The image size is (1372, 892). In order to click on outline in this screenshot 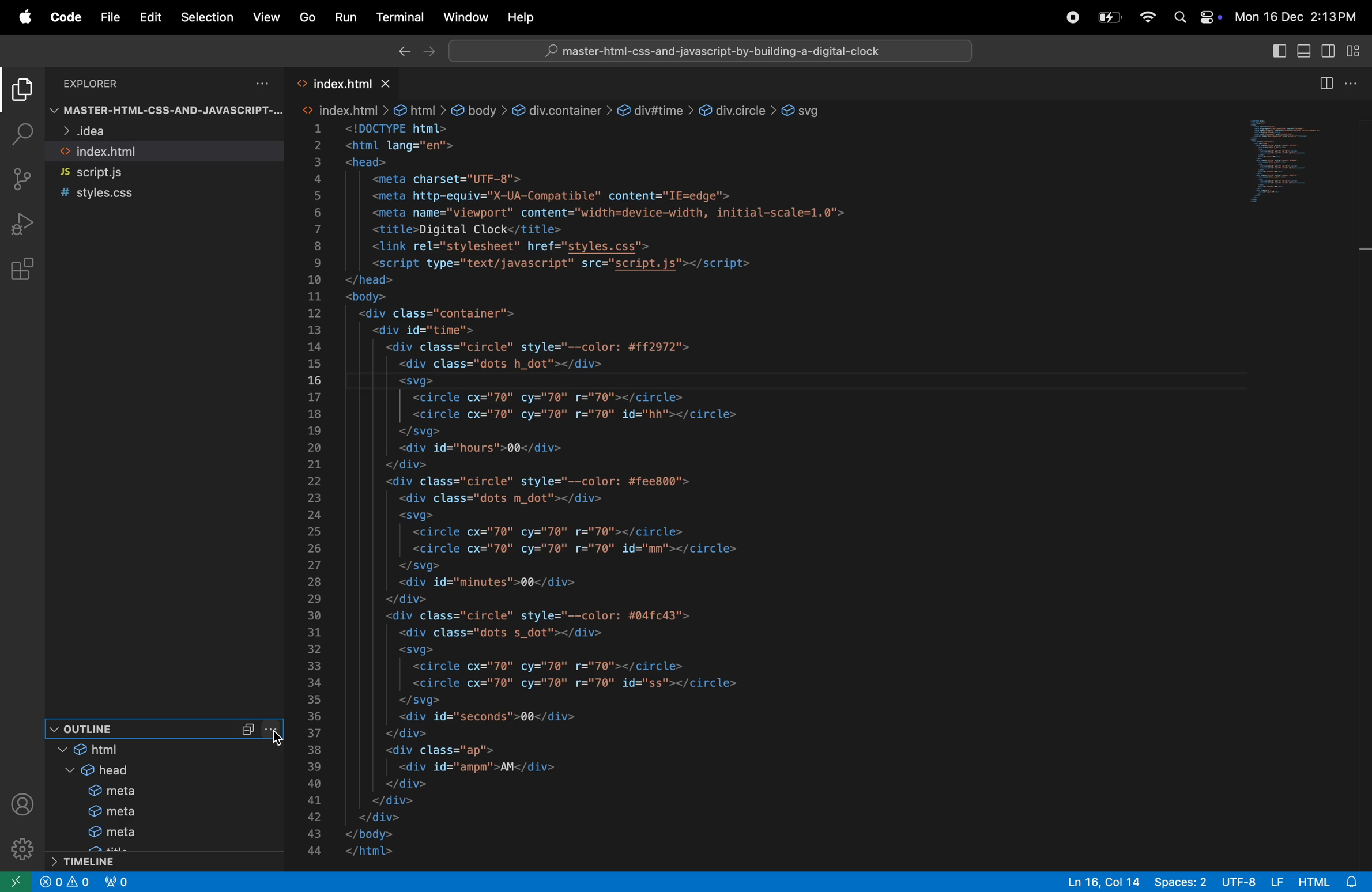, I will do `click(163, 728)`.